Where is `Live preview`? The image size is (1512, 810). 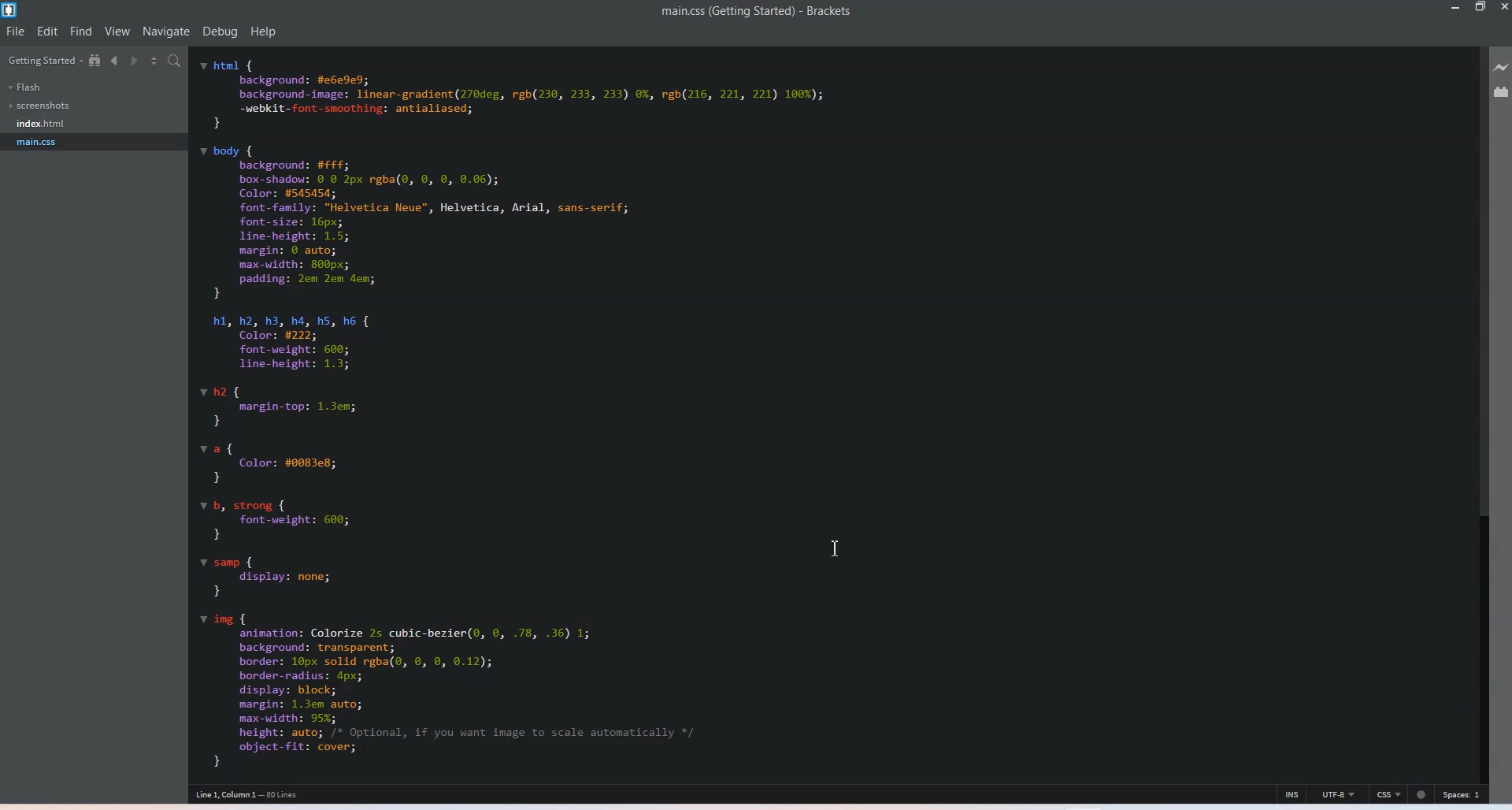 Live preview is located at coordinates (1503, 66).